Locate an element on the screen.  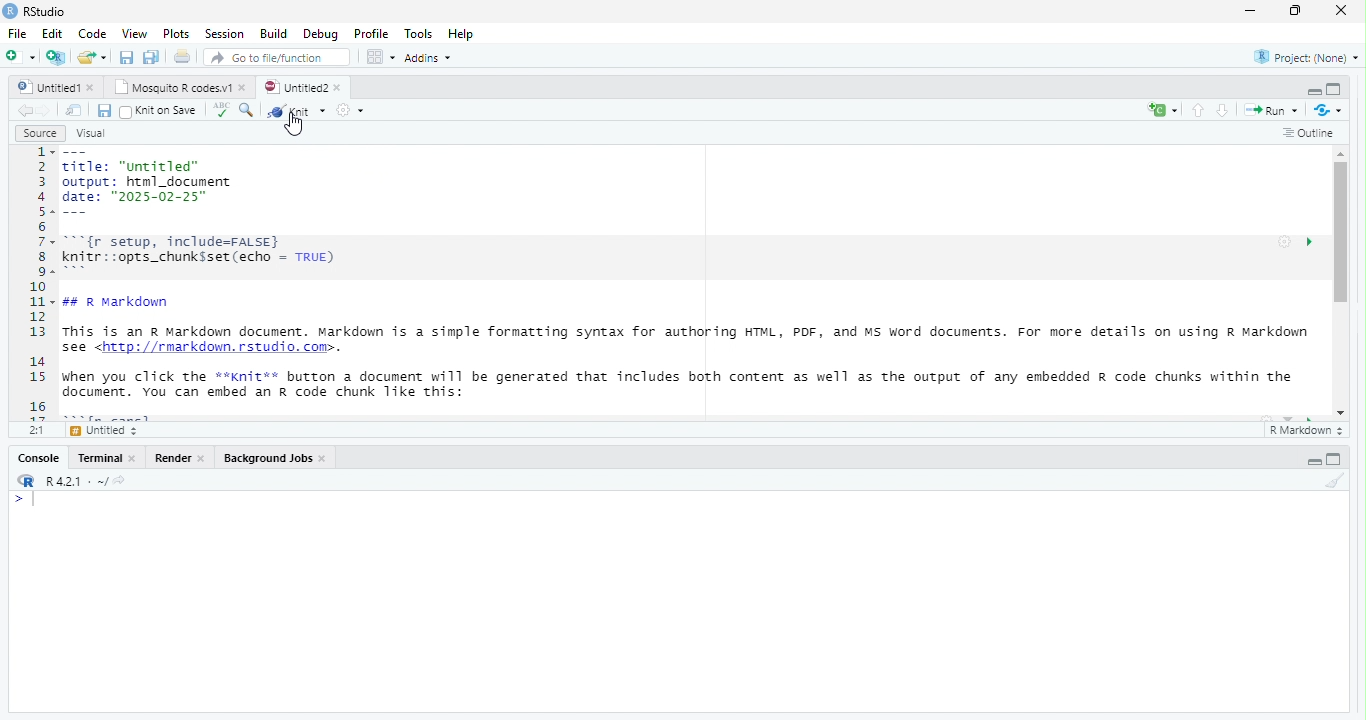
scrollbar is located at coordinates (1342, 282).